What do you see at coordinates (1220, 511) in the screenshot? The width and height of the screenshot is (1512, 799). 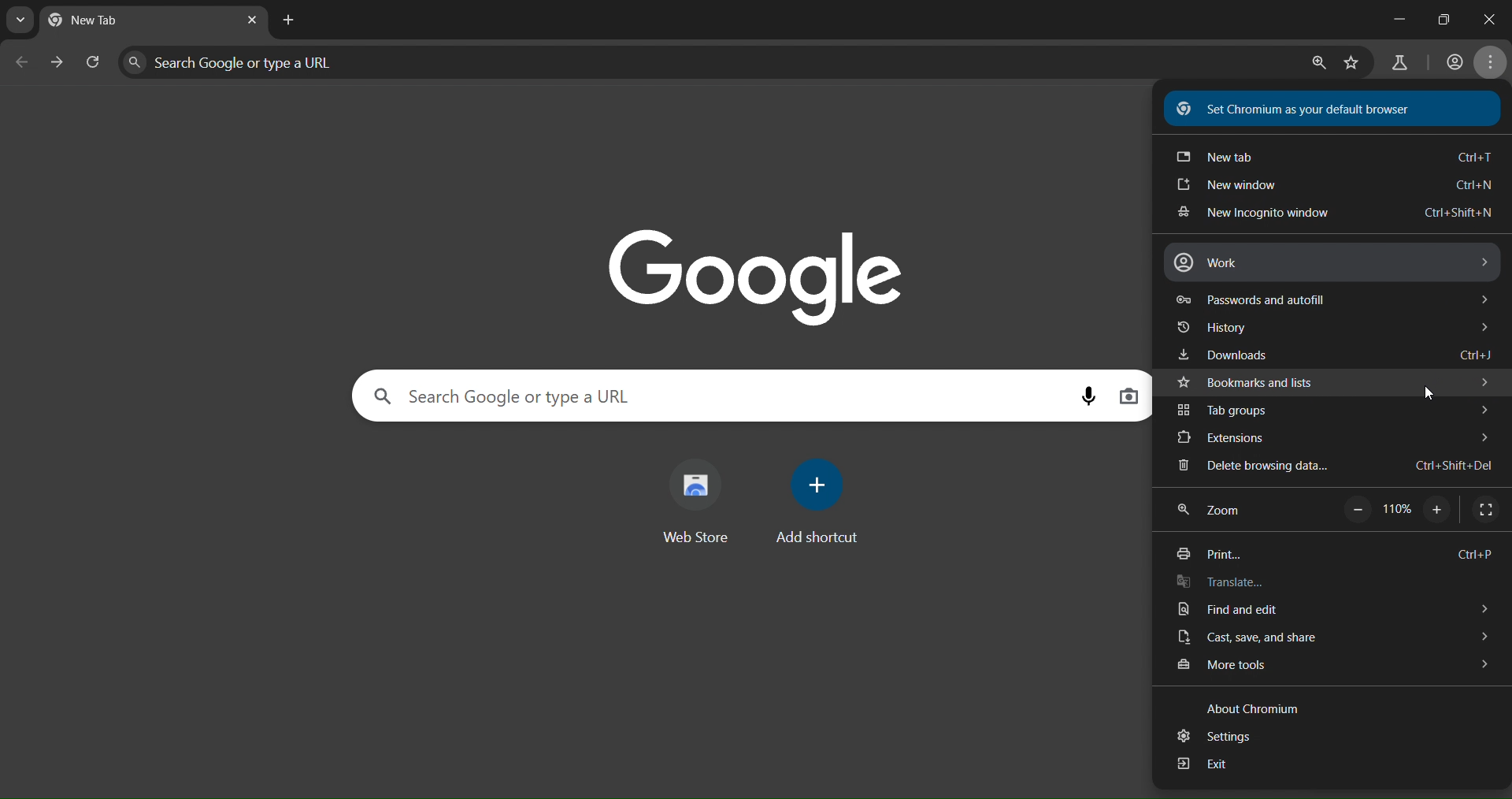 I see `zoom ` at bounding box center [1220, 511].